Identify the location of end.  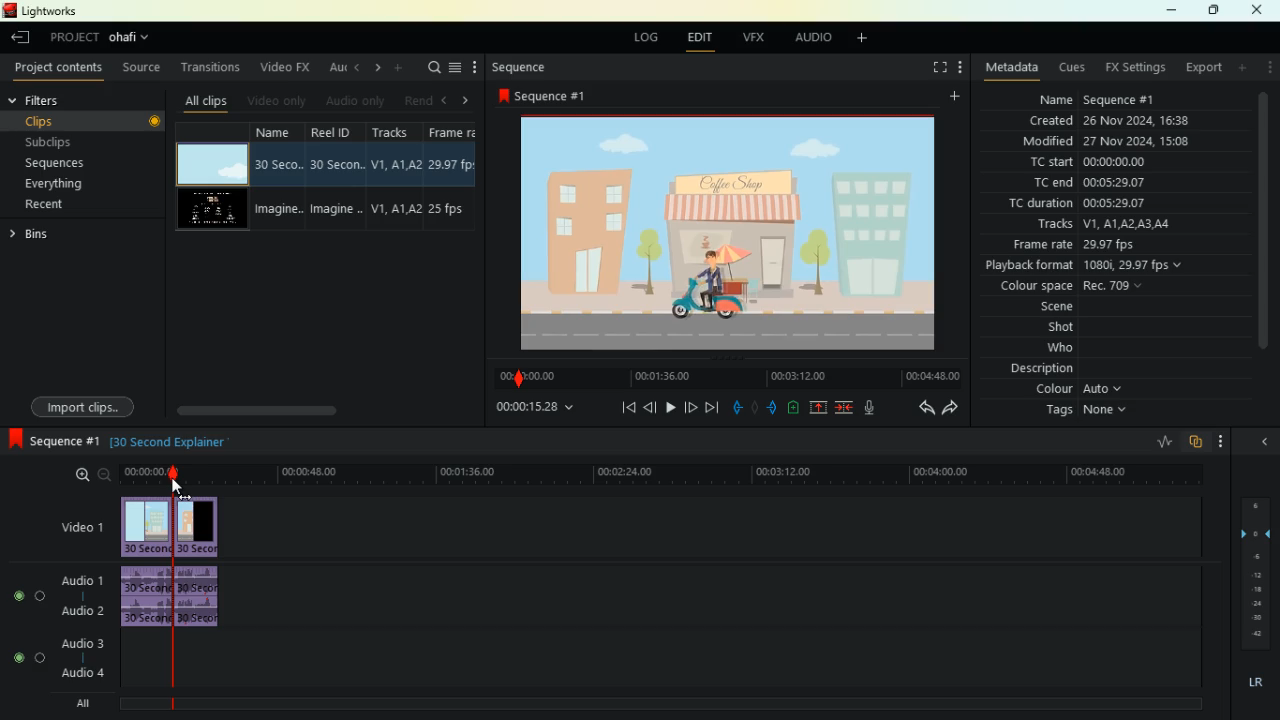
(714, 407).